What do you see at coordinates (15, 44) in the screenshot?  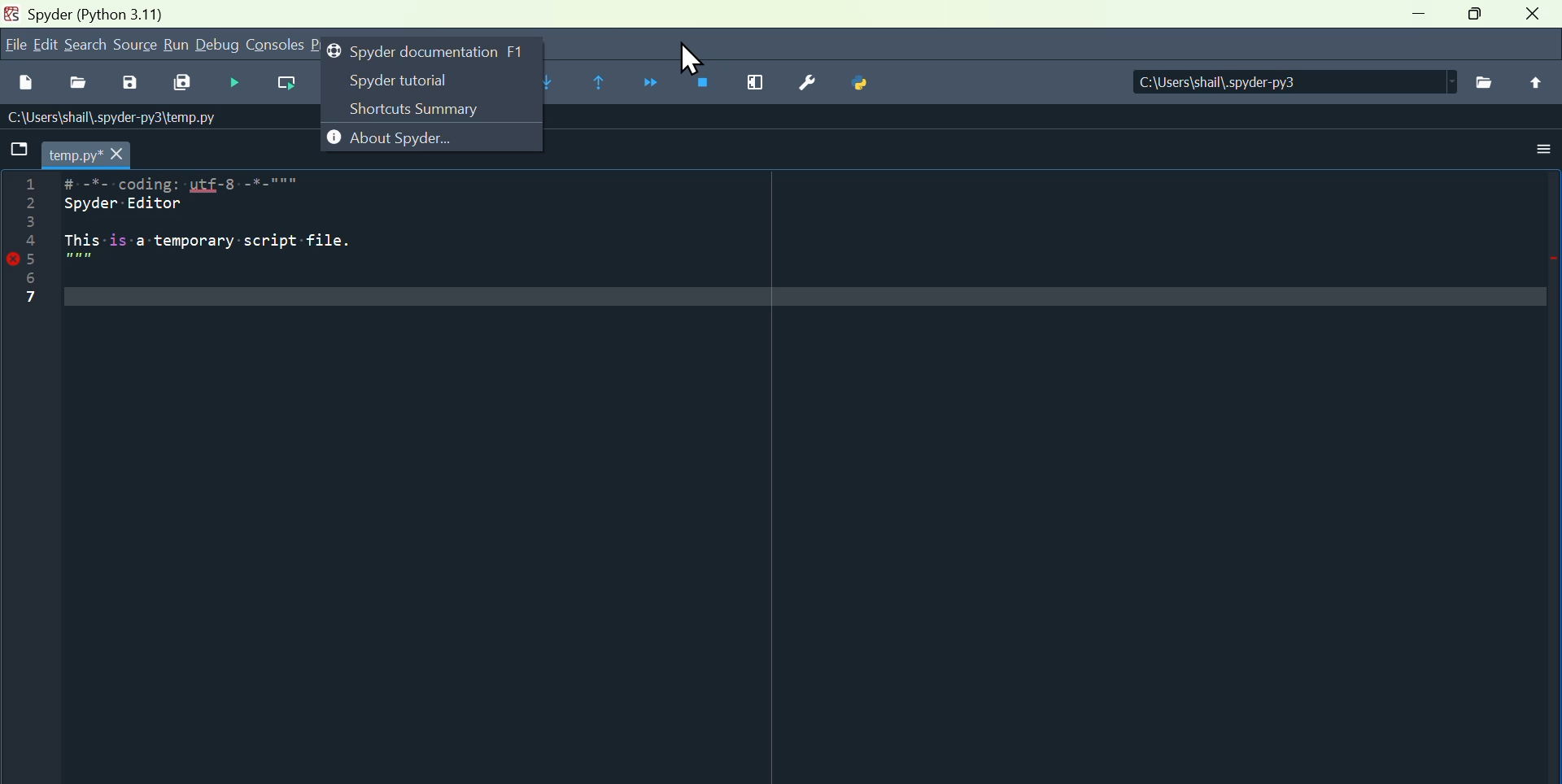 I see `File` at bounding box center [15, 44].